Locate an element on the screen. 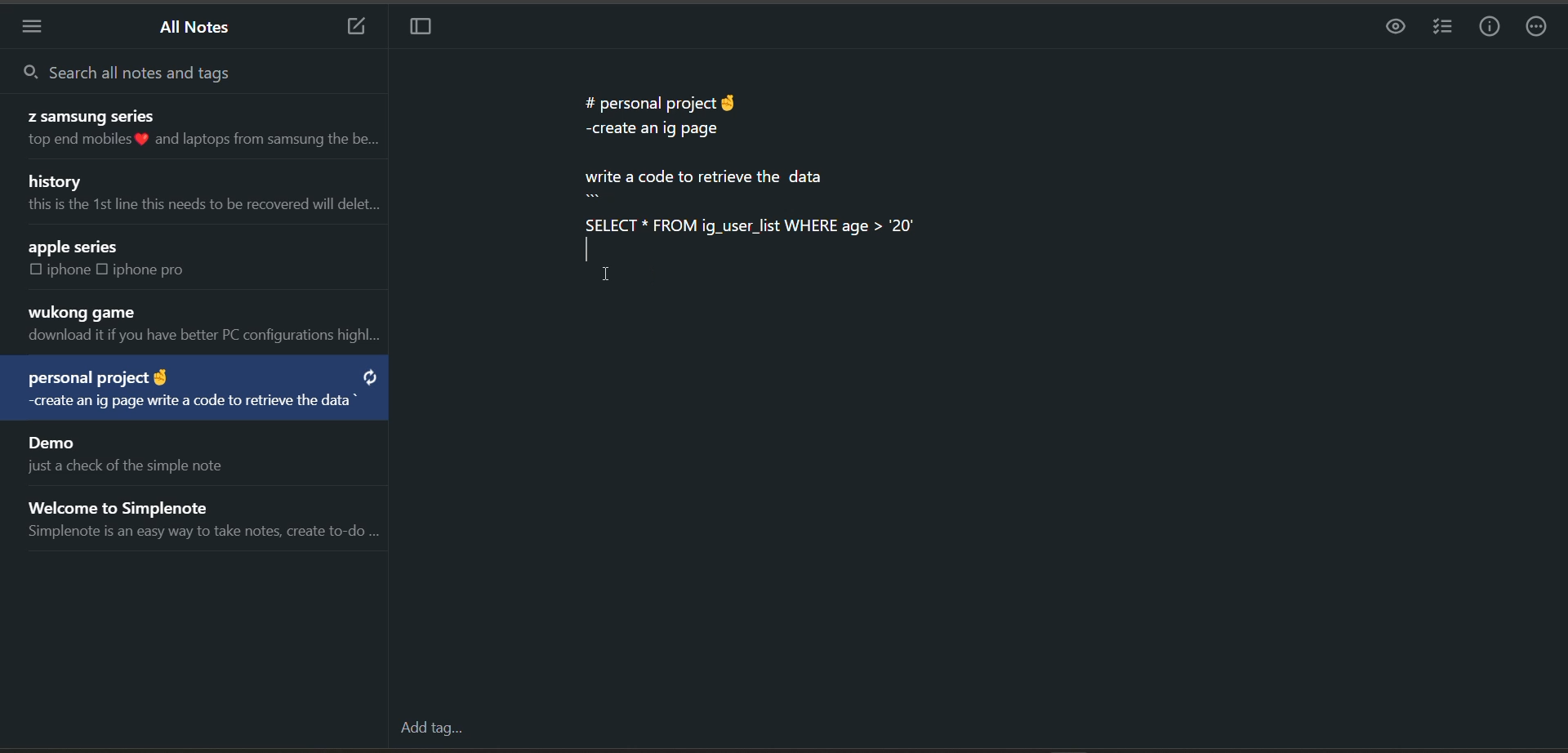  all notes is located at coordinates (197, 30).